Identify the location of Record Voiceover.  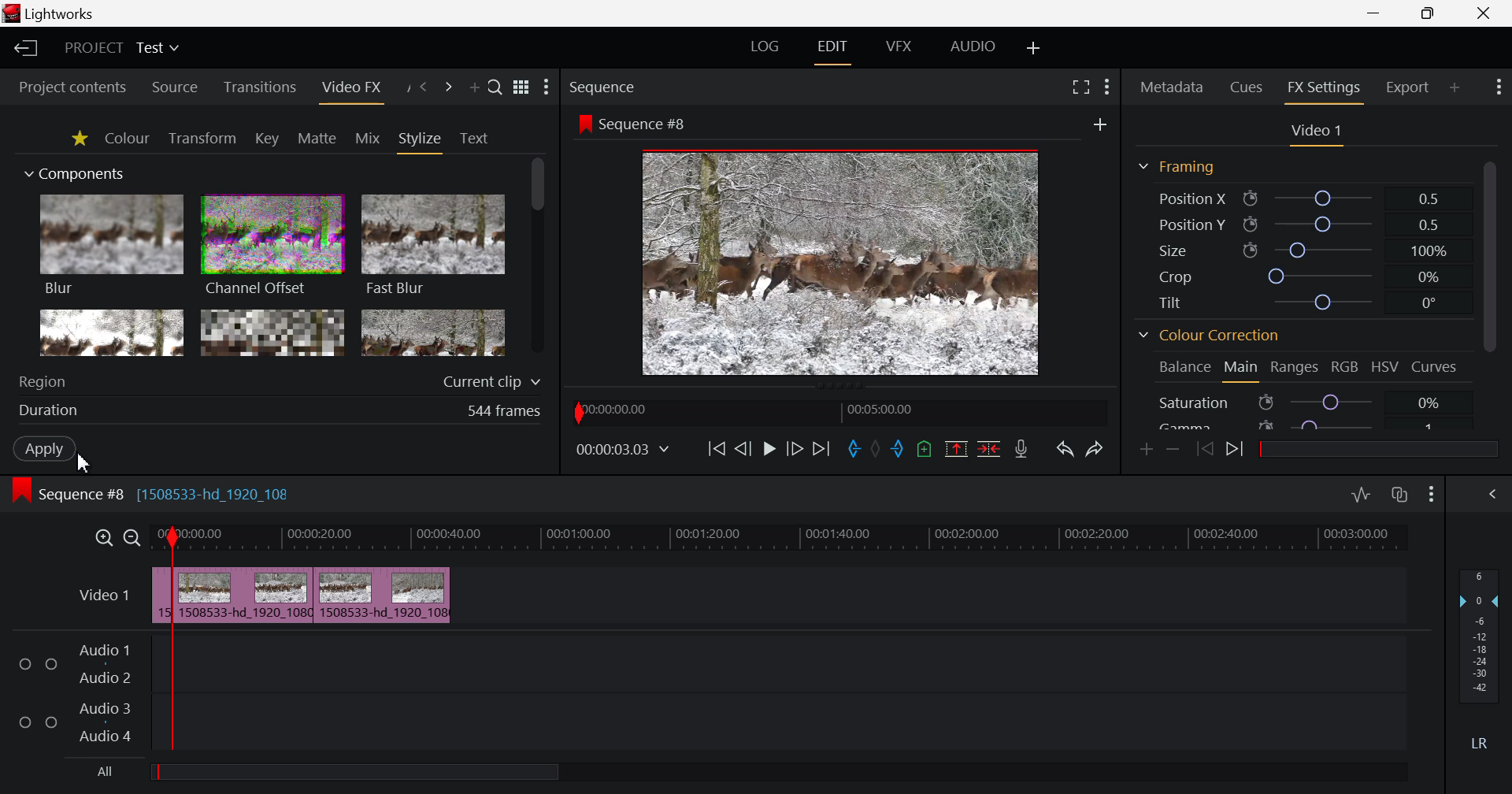
(1024, 449).